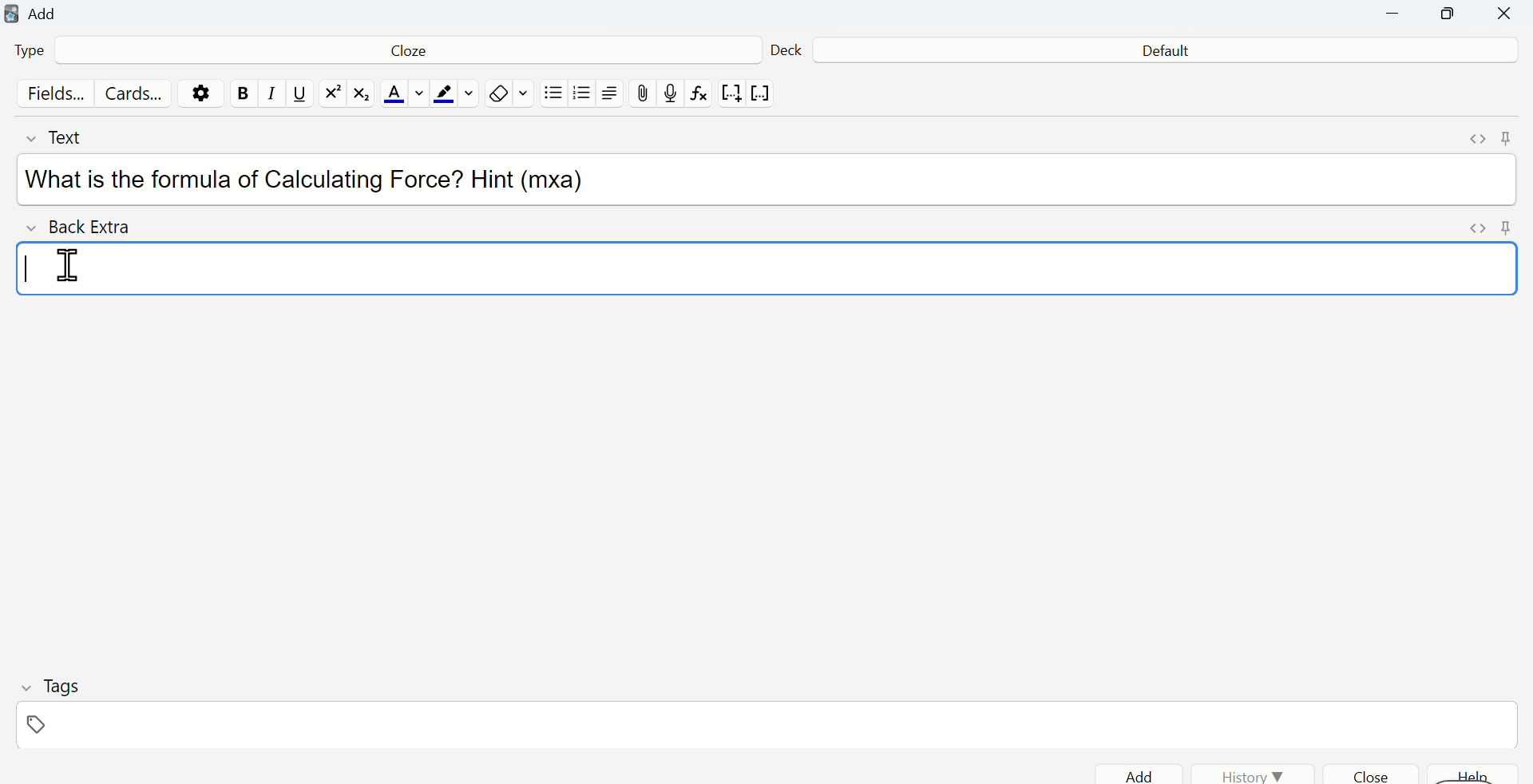  I want to click on Tags, so click(48, 686).